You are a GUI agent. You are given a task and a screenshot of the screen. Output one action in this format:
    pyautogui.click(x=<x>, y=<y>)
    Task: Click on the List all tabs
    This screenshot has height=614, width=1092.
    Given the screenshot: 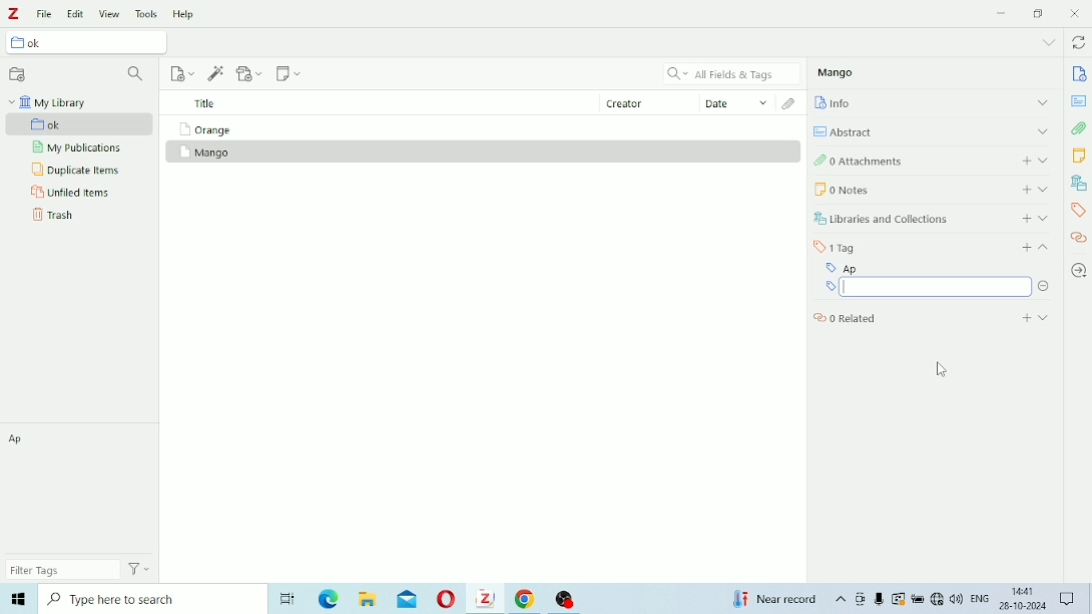 What is the action you would take?
    pyautogui.click(x=1050, y=43)
    